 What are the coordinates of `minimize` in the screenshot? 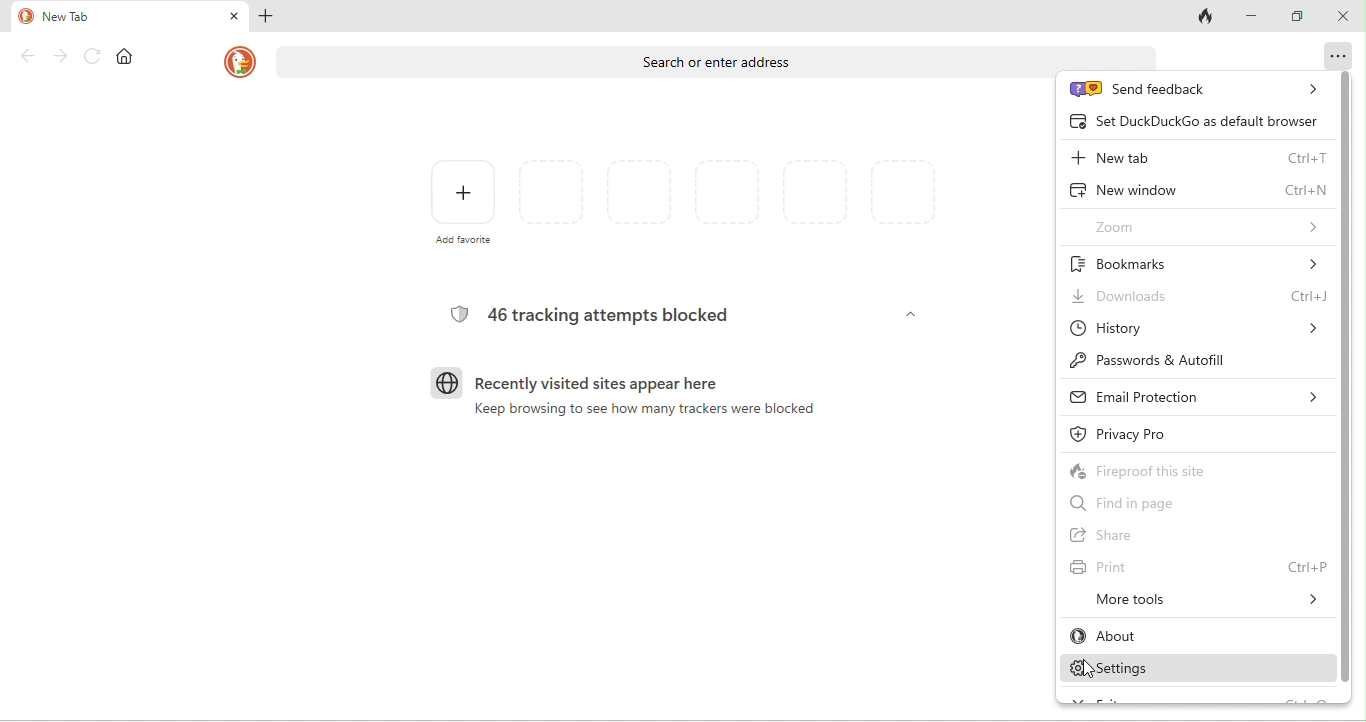 It's located at (1255, 16).